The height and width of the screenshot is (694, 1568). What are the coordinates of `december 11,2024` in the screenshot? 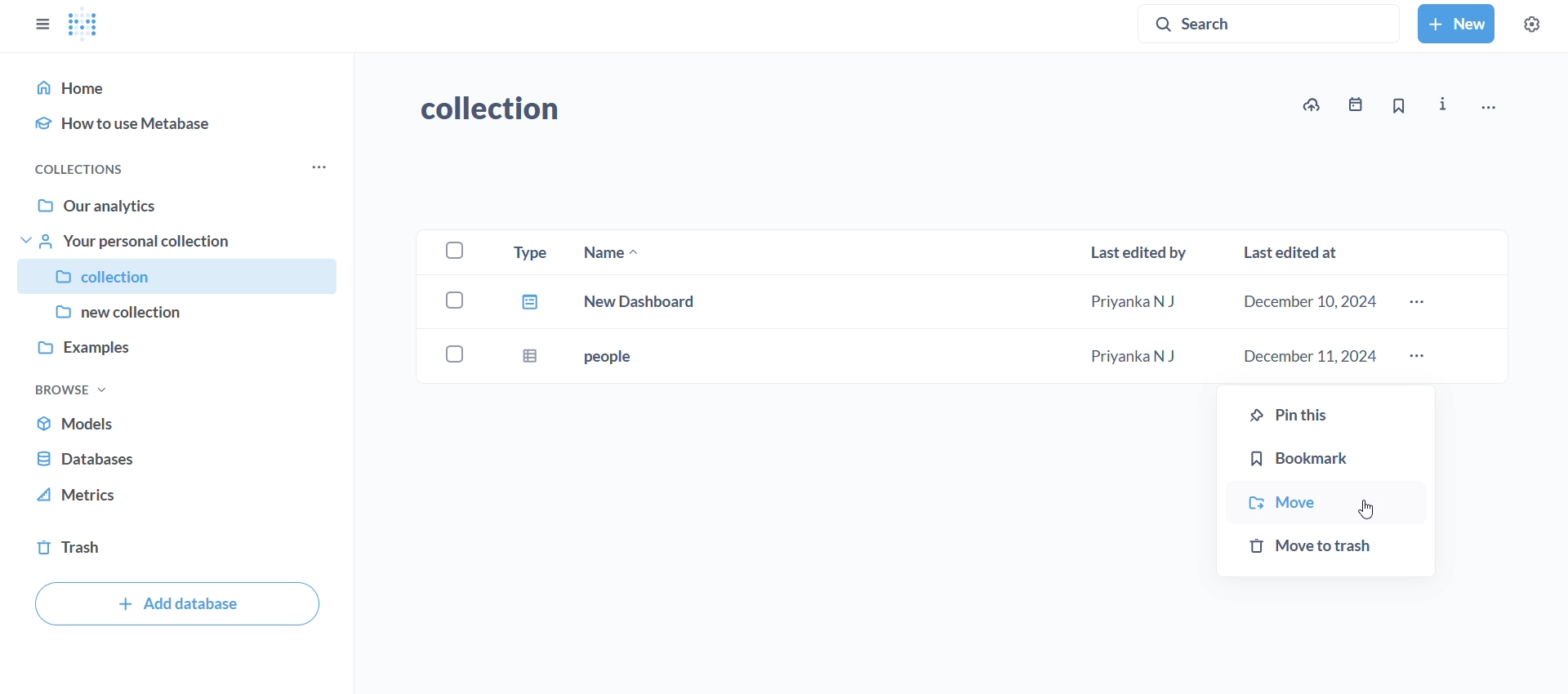 It's located at (1310, 357).